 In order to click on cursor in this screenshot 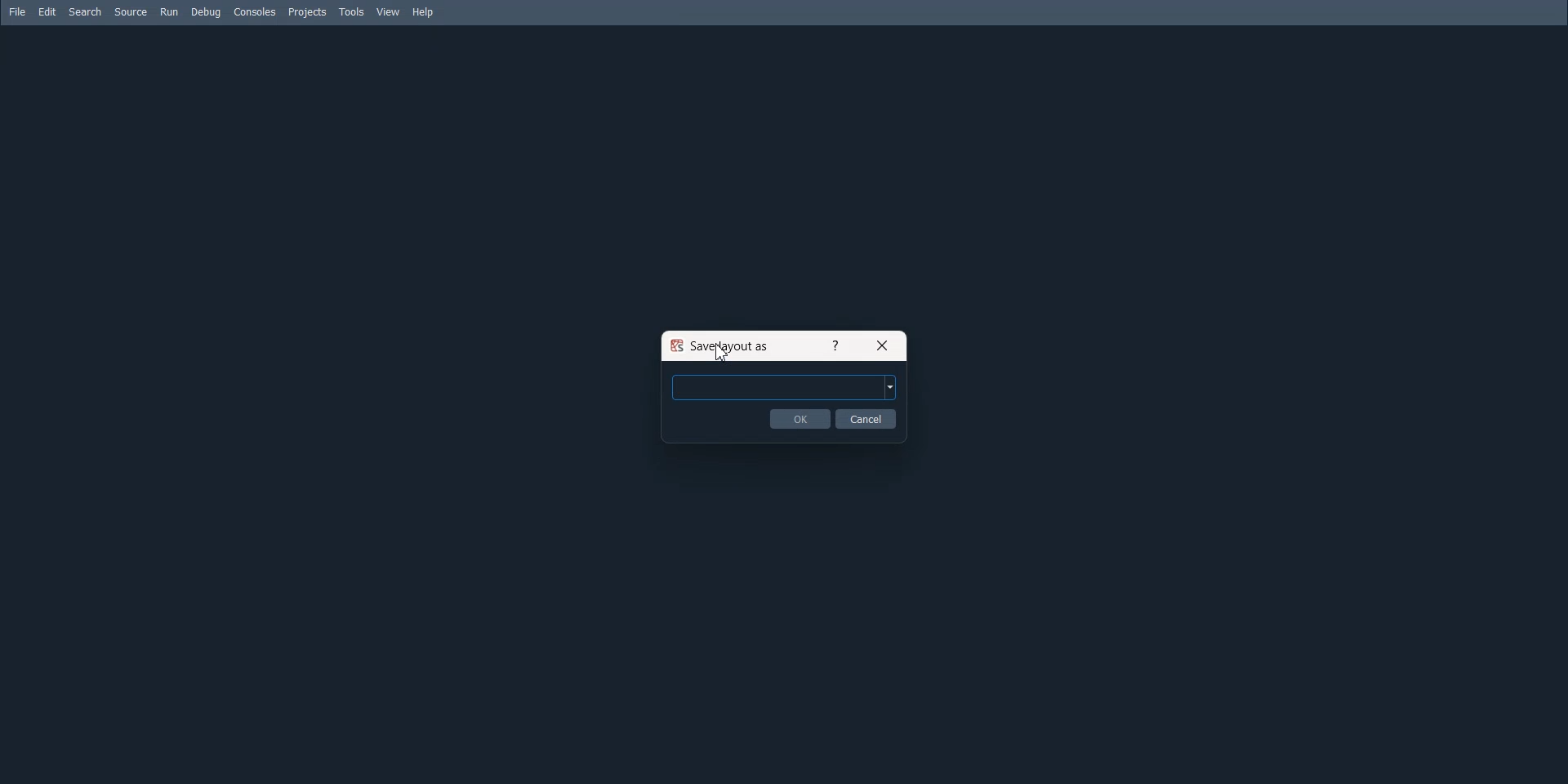, I will do `click(719, 349)`.